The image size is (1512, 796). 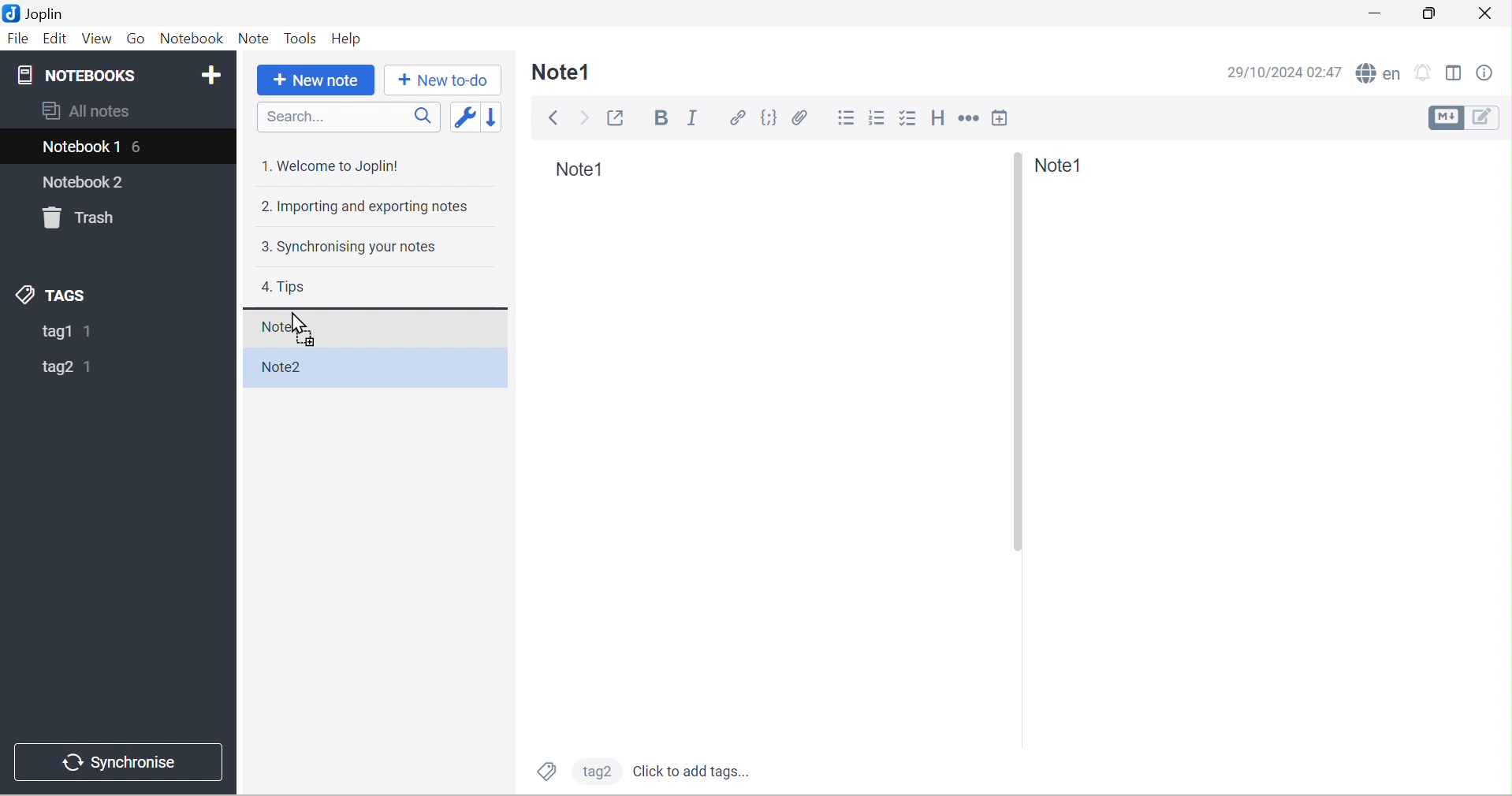 I want to click on 1. Welcome to Joplin!, so click(x=329, y=164).